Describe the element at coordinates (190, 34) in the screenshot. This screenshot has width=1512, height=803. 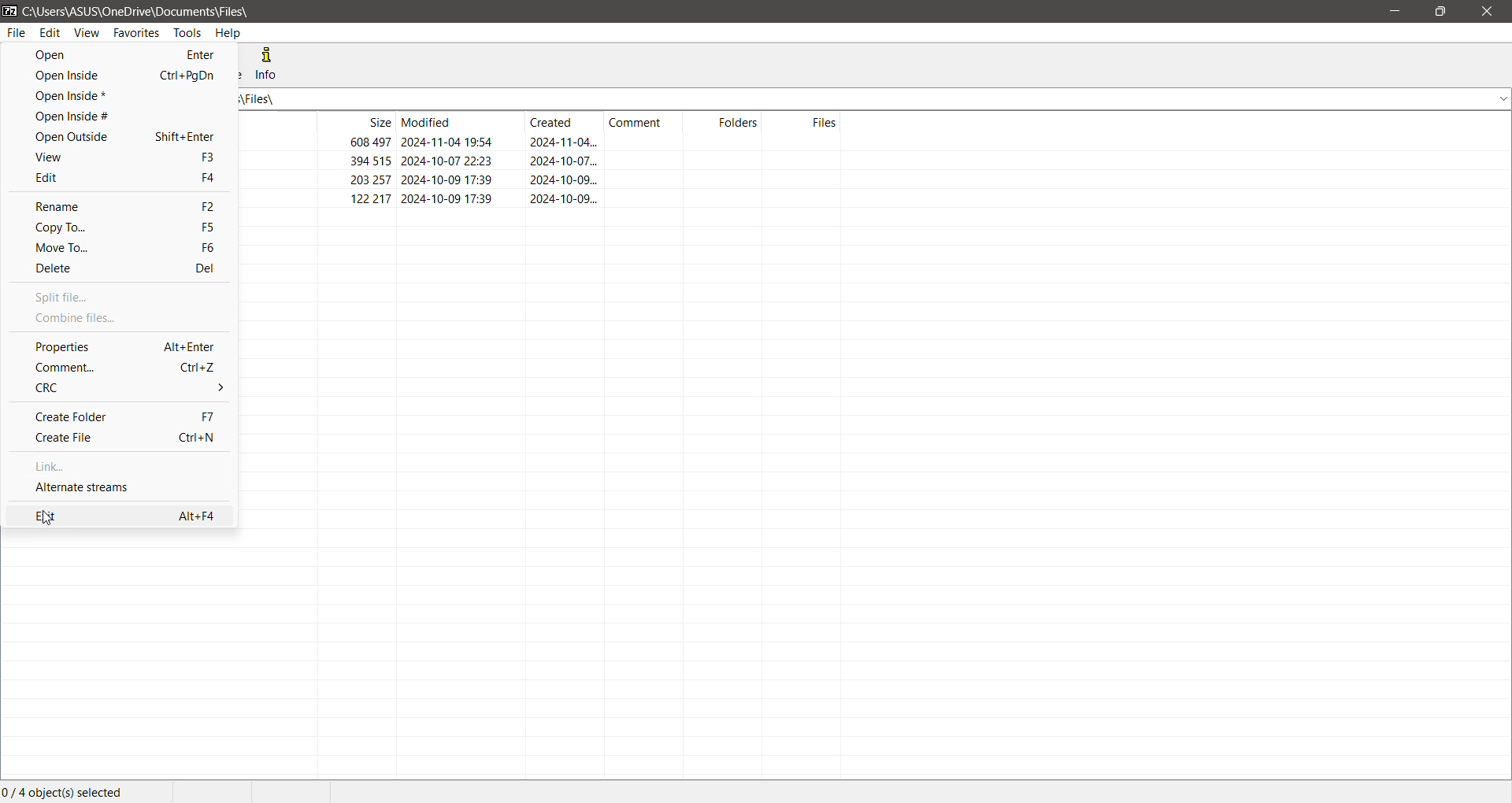
I see `Tools` at that location.